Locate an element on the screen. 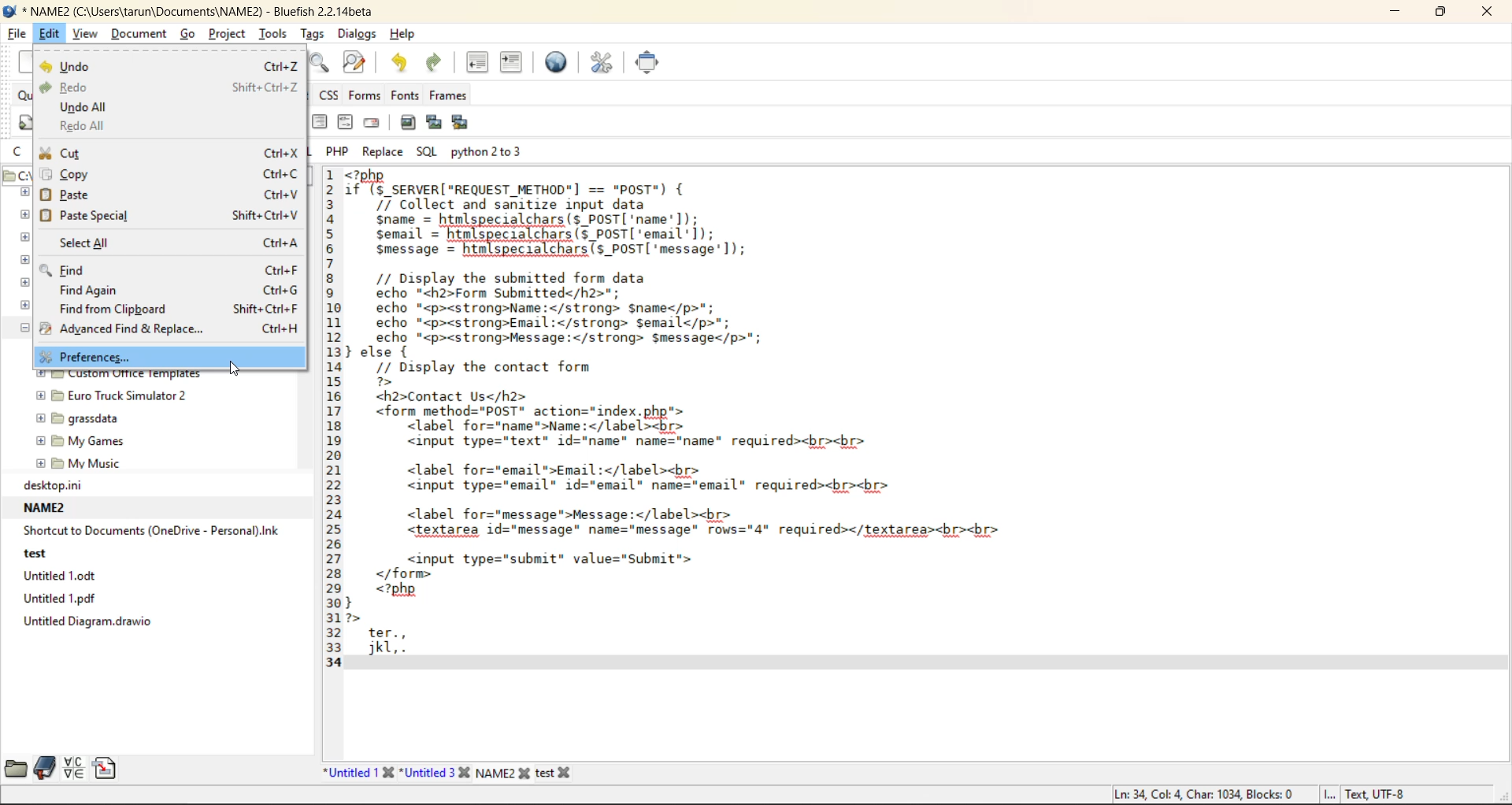  Untitled 1.pdf is located at coordinates (56, 597).